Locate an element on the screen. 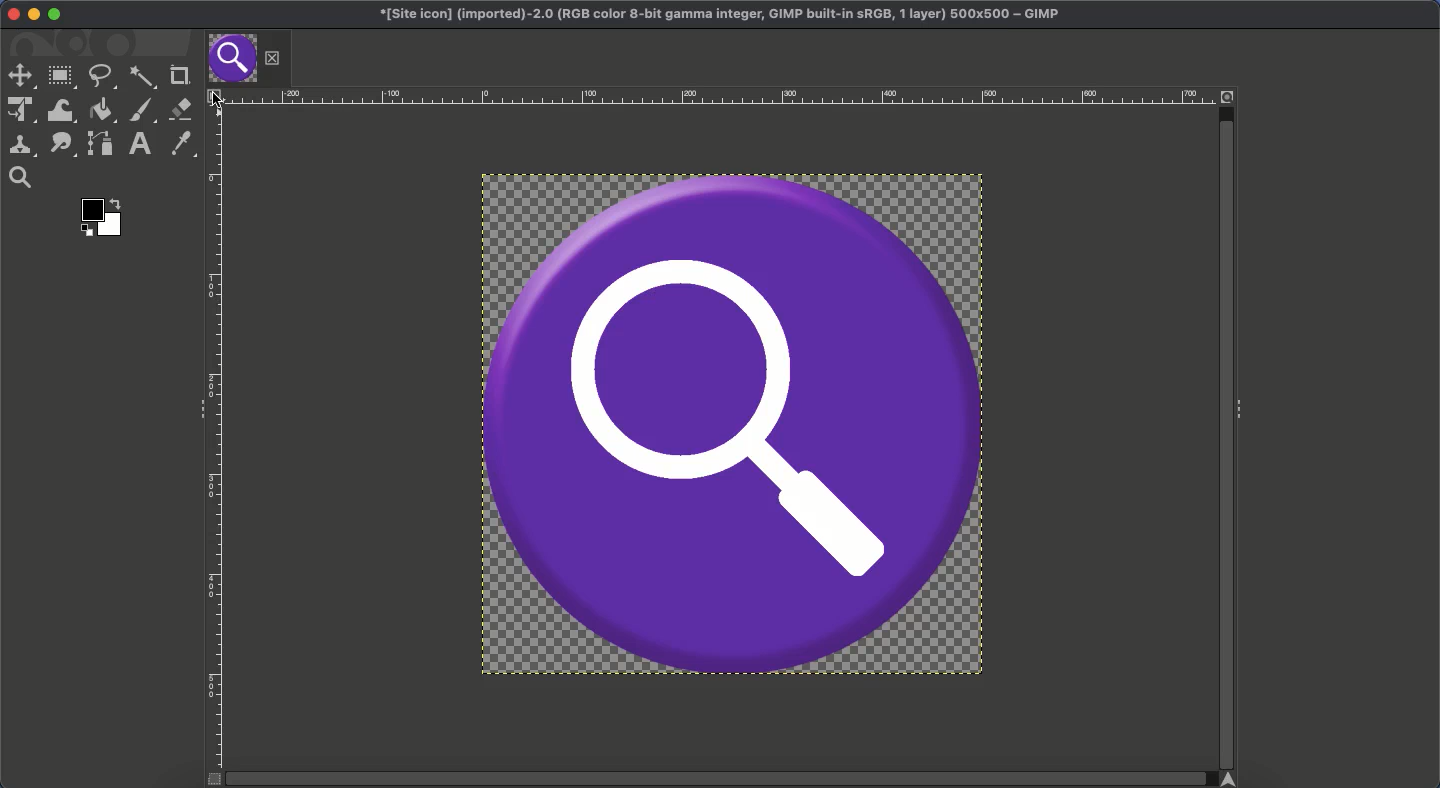 The image size is (1440, 788). Eraser is located at coordinates (180, 109).